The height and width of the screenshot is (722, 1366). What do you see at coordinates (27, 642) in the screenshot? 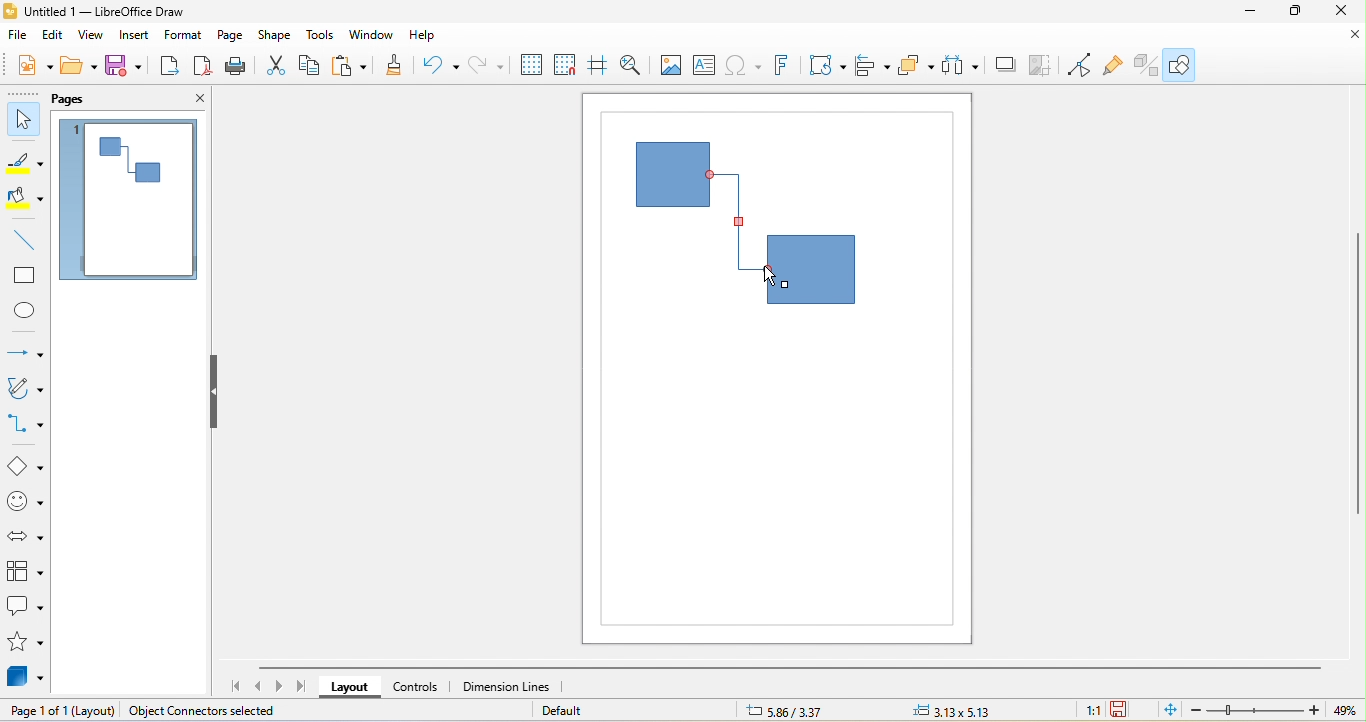
I see `stars and banners` at bounding box center [27, 642].